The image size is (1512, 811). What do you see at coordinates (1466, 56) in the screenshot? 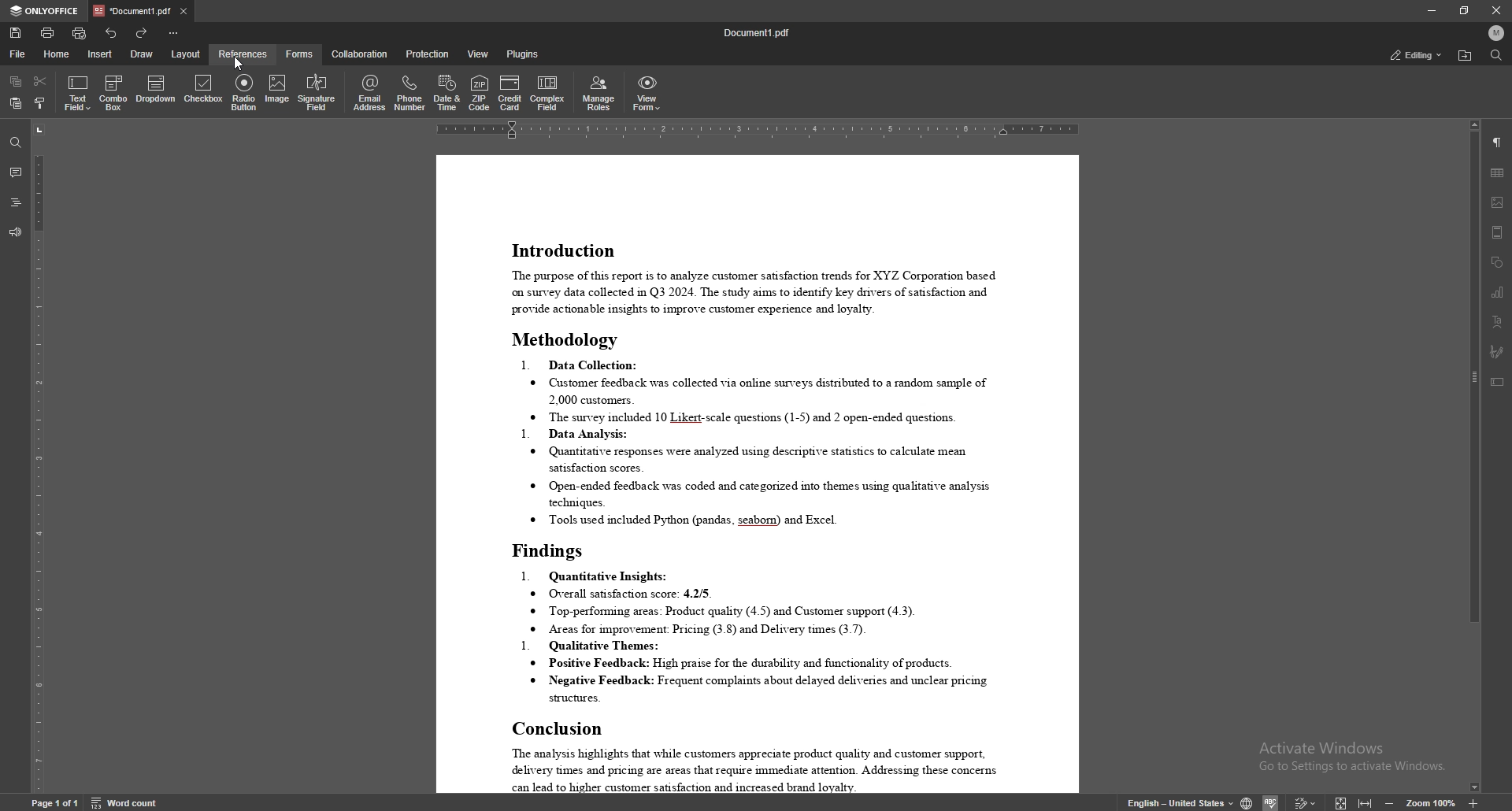
I see `find location` at bounding box center [1466, 56].